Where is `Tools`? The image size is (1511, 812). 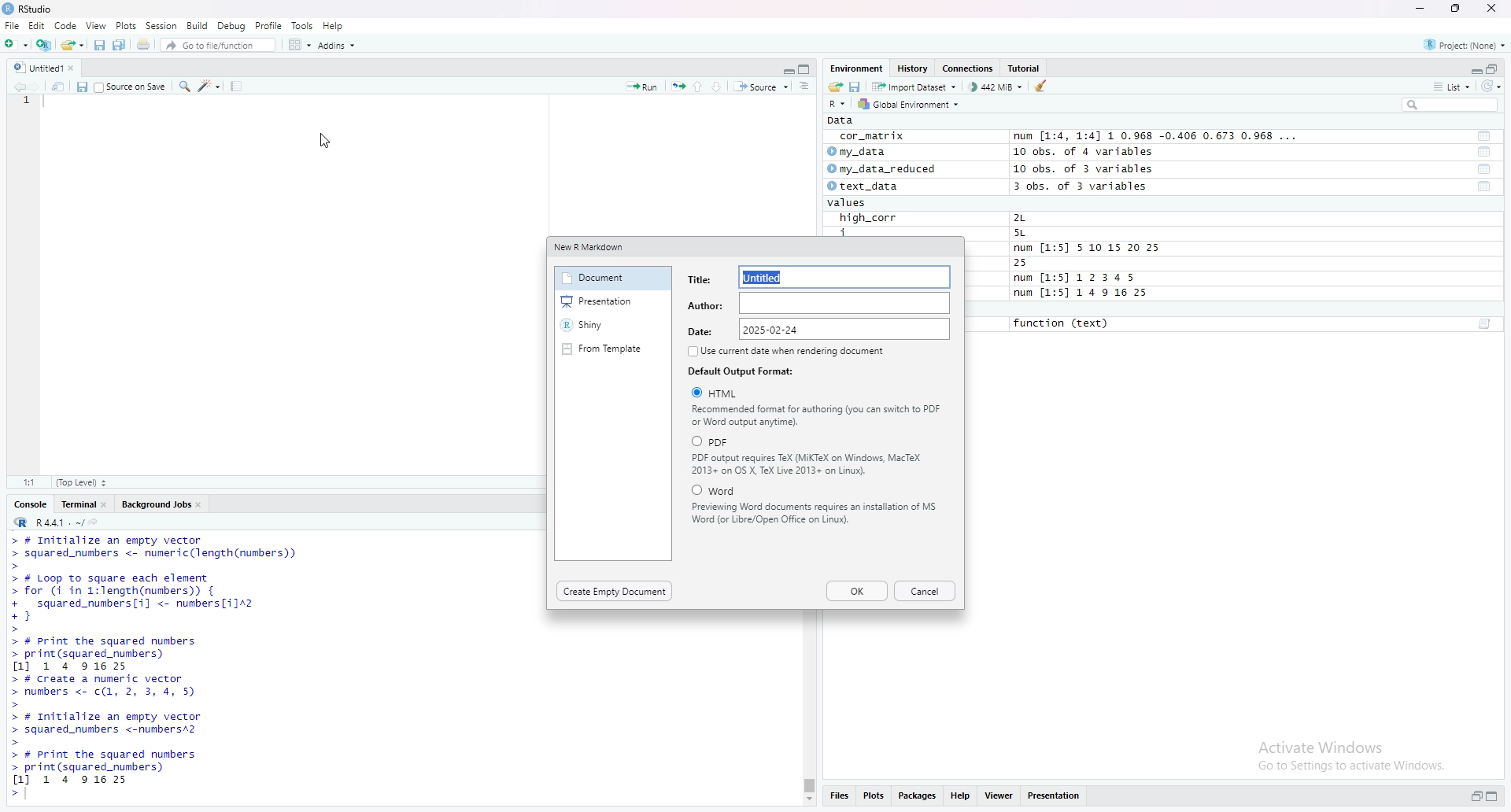 Tools is located at coordinates (301, 25).